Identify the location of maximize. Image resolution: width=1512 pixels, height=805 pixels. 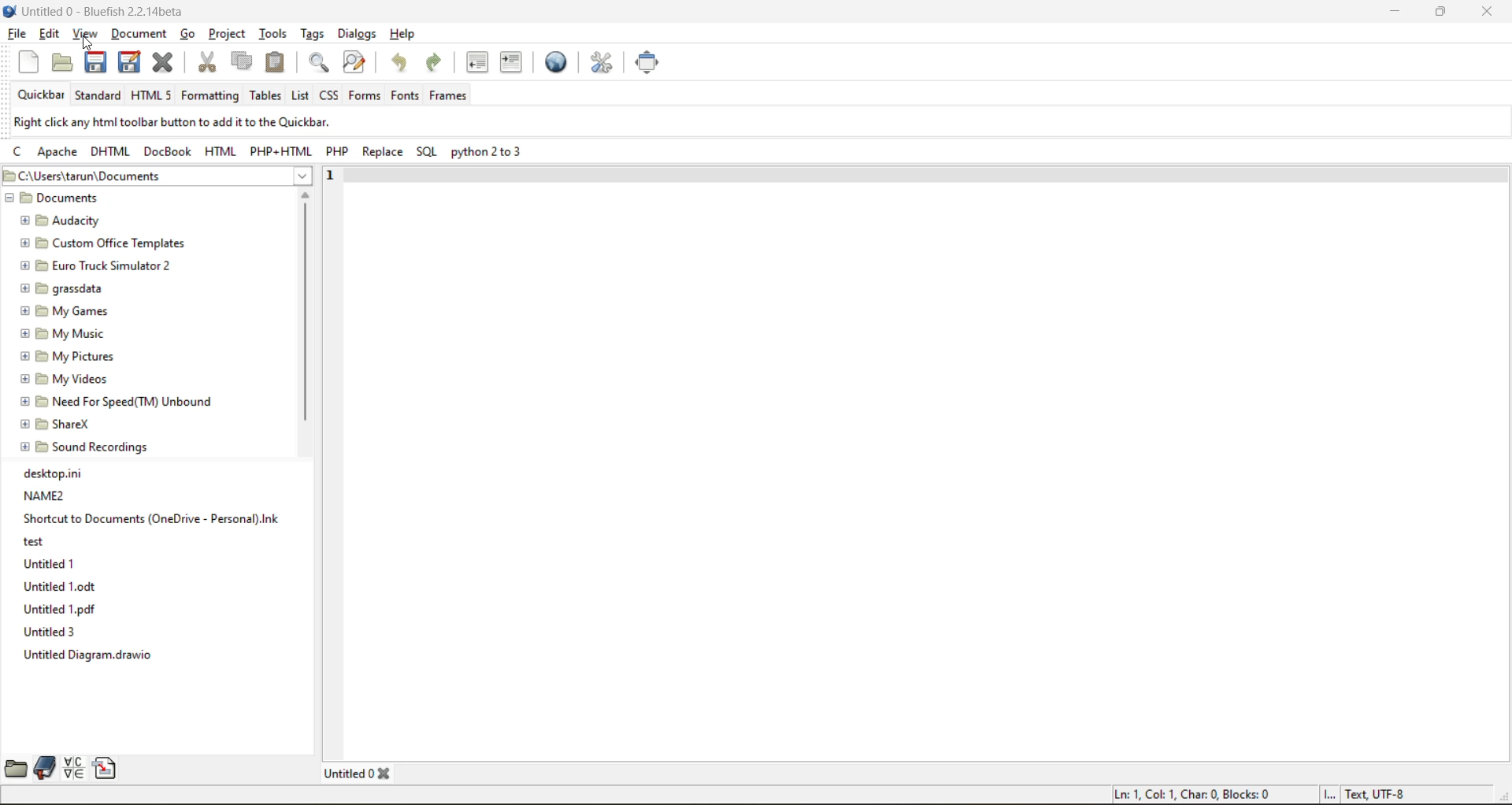
(1445, 12).